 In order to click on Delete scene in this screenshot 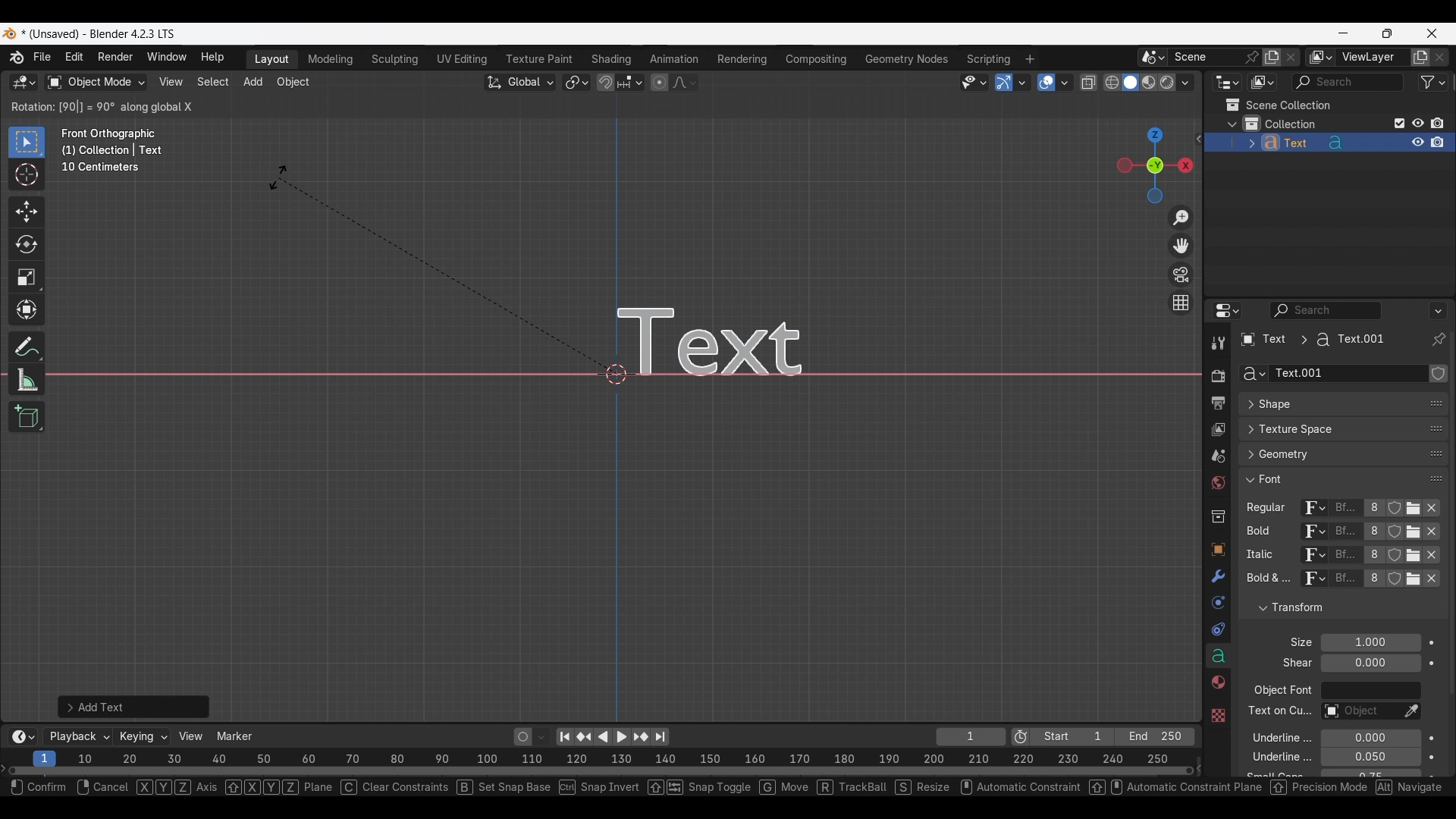, I will do `click(1291, 58)`.